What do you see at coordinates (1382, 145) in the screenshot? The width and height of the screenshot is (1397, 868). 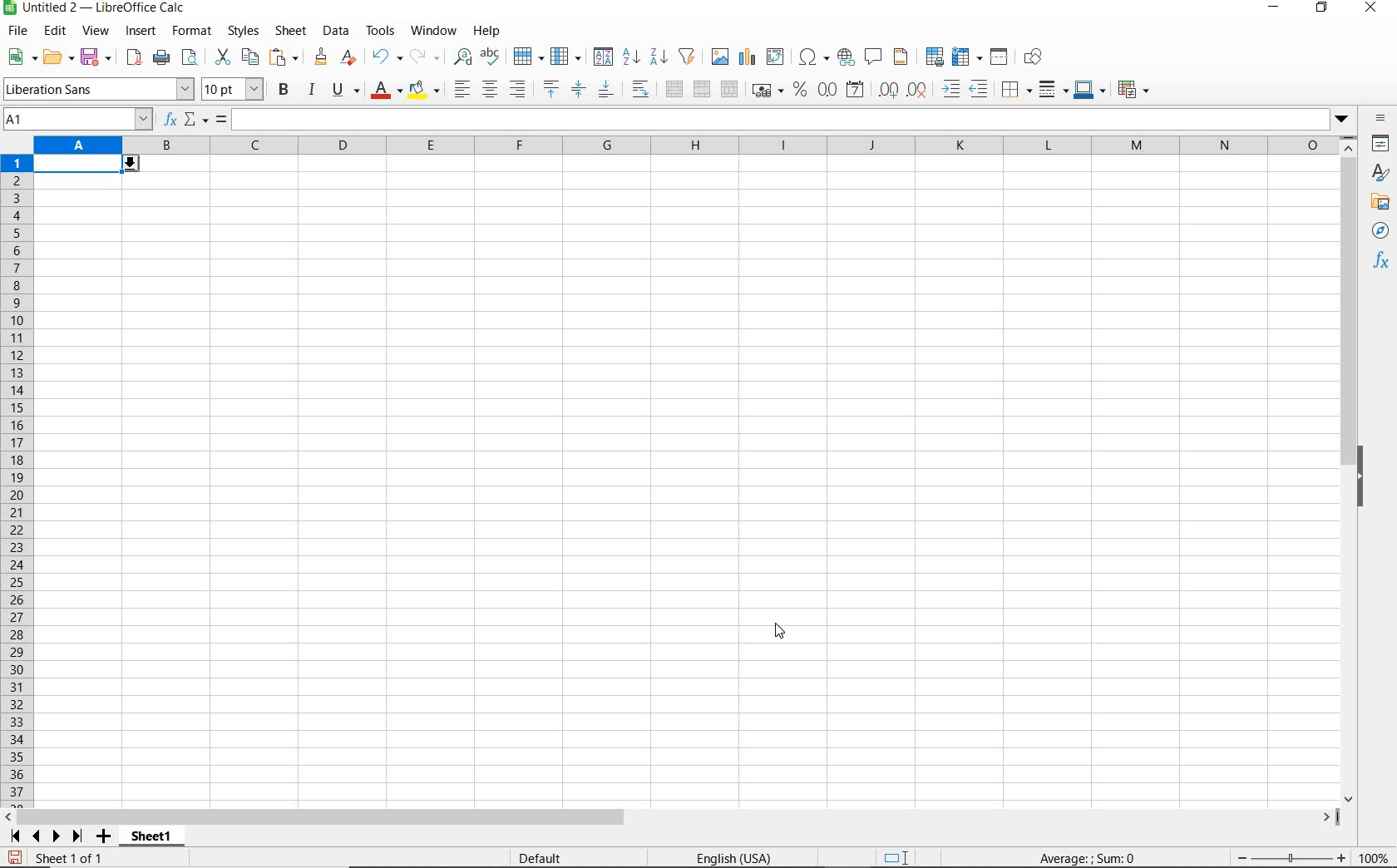 I see `properties` at bounding box center [1382, 145].